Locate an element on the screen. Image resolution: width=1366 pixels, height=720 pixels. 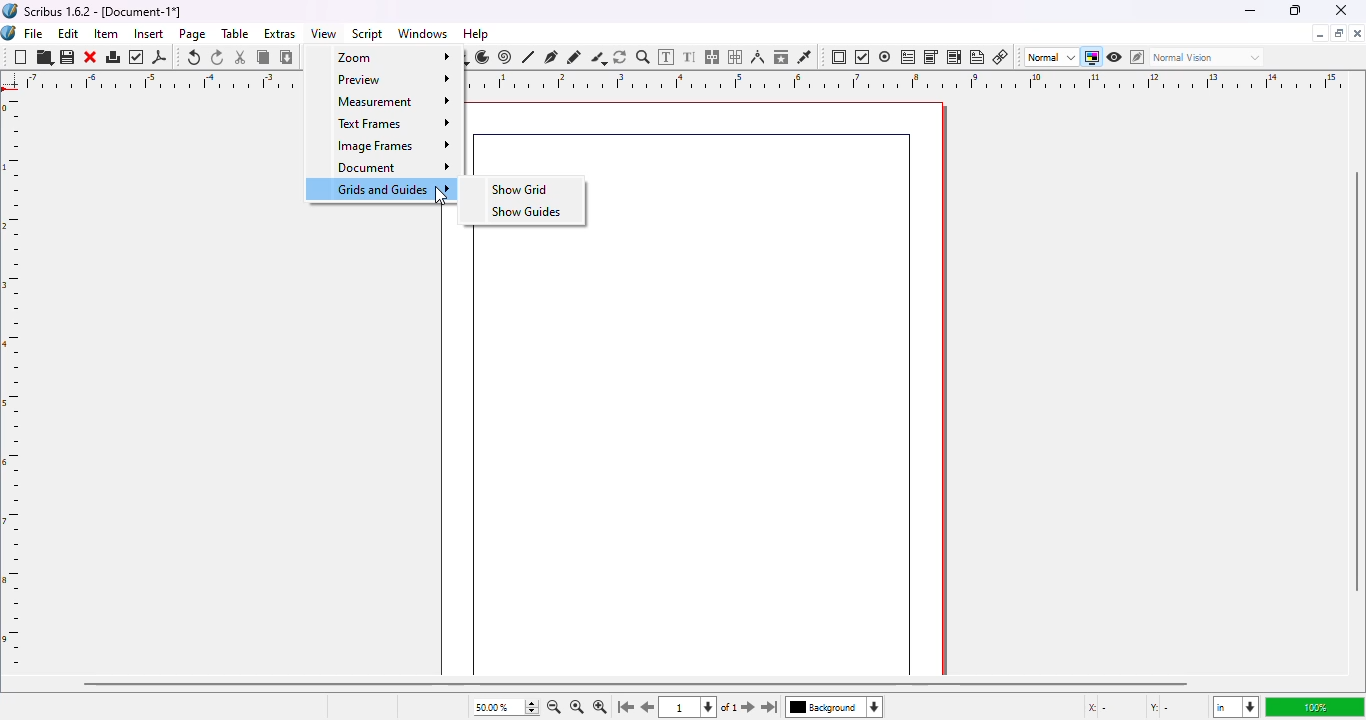
extras is located at coordinates (280, 33).